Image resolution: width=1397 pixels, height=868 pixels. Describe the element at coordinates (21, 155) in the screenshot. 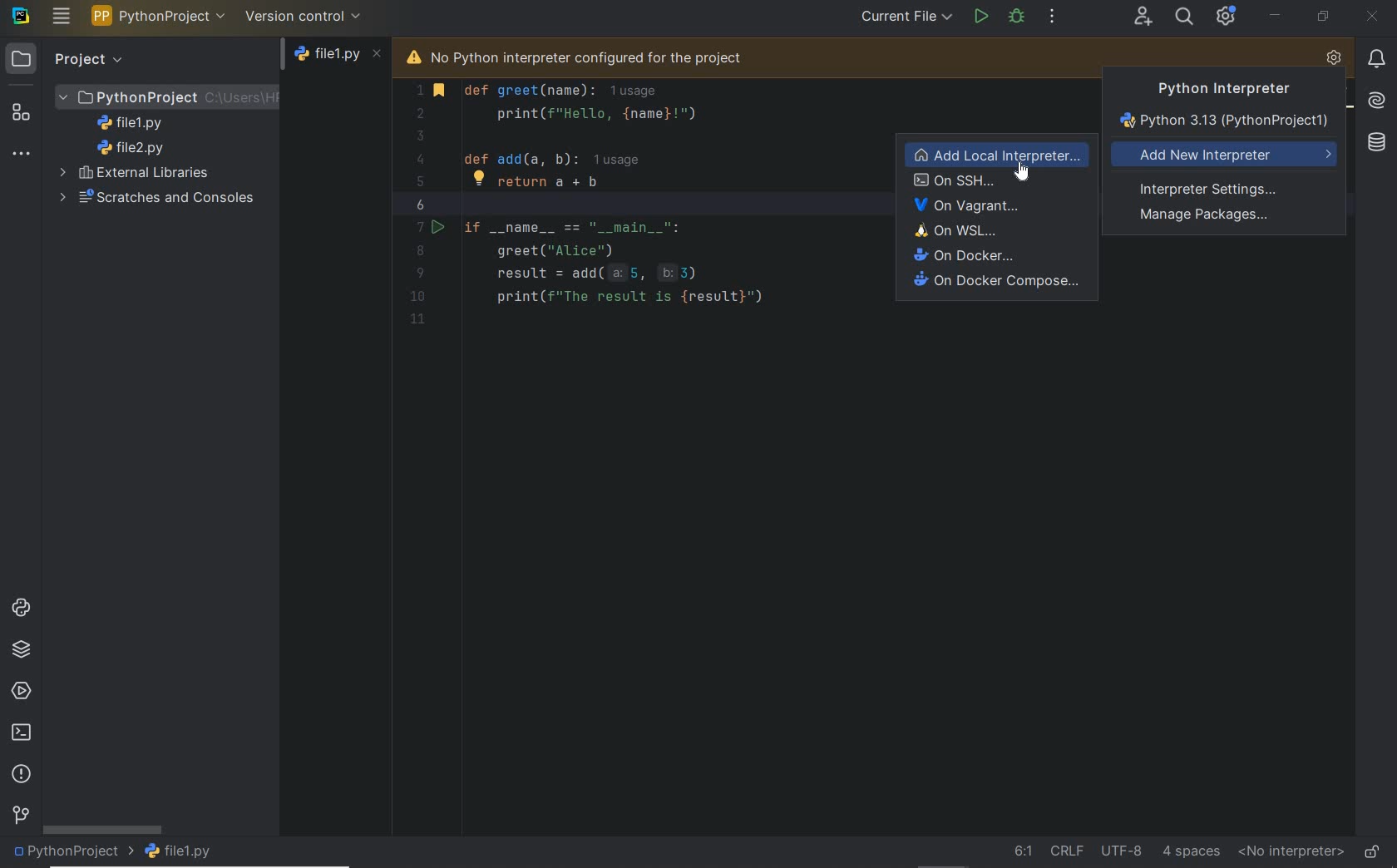

I see `more tool windows` at that location.